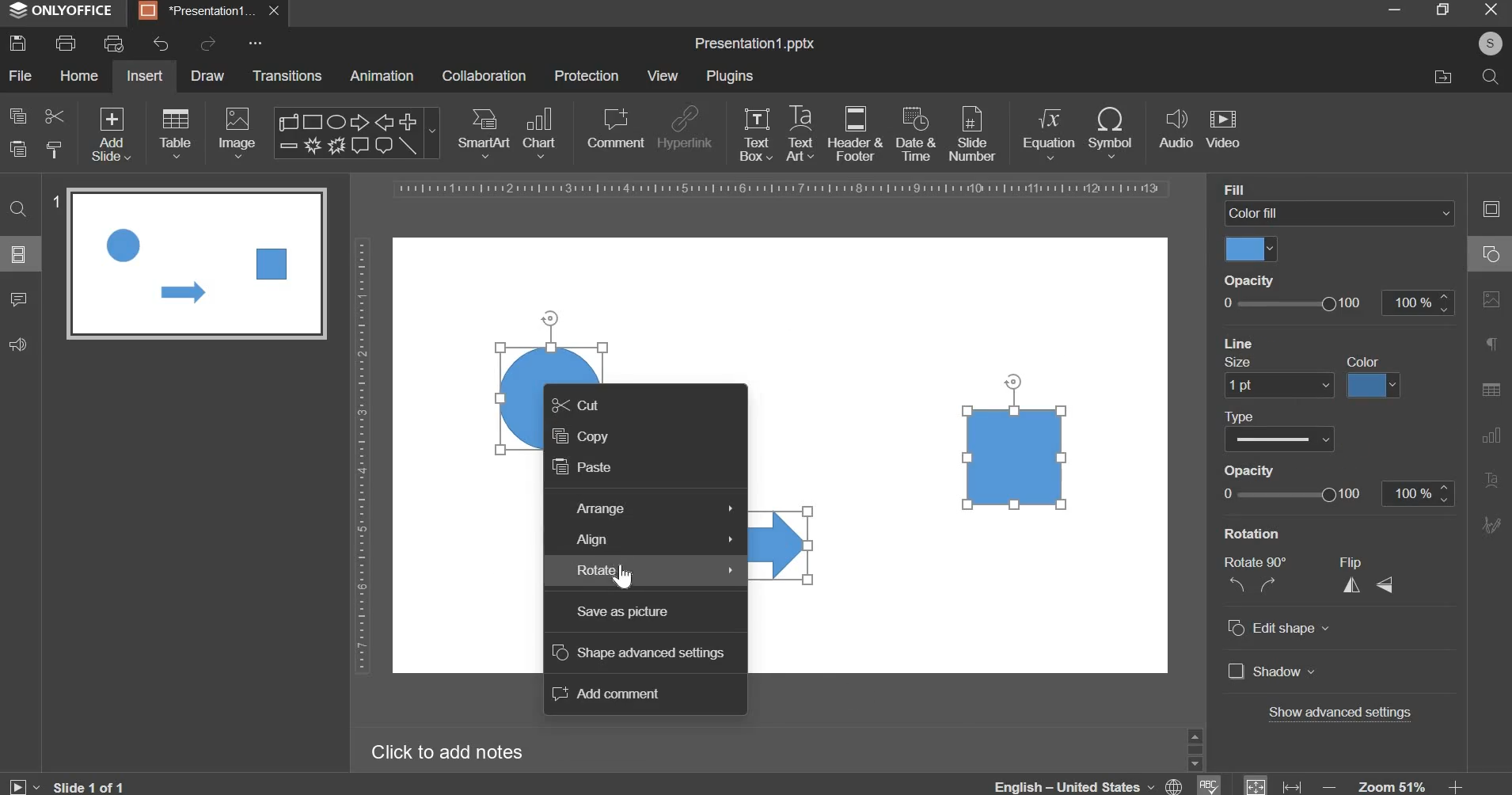 The image size is (1512, 795). I want to click on slide number, so click(55, 202).